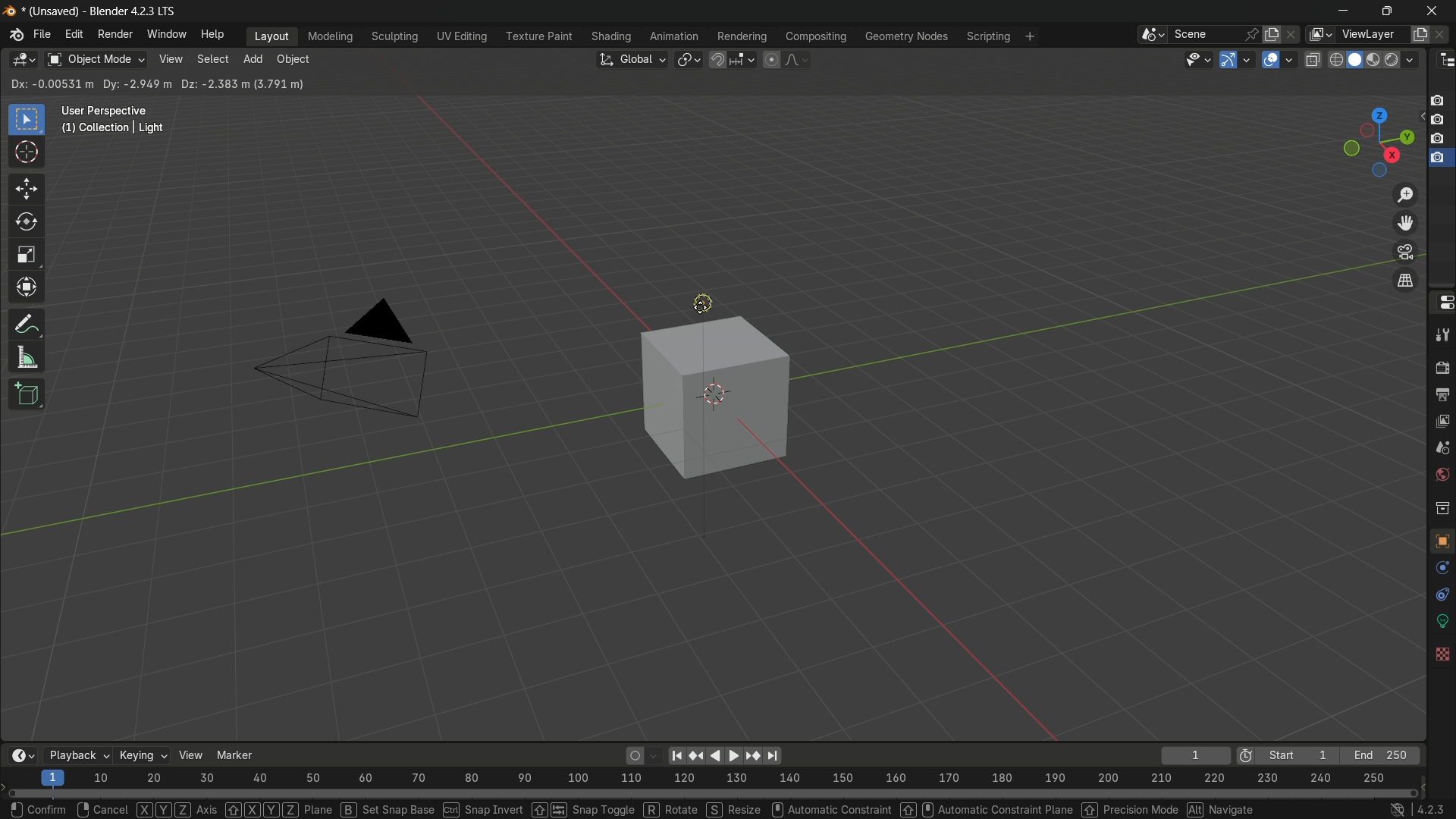  What do you see at coordinates (293, 60) in the screenshot?
I see `object` at bounding box center [293, 60].